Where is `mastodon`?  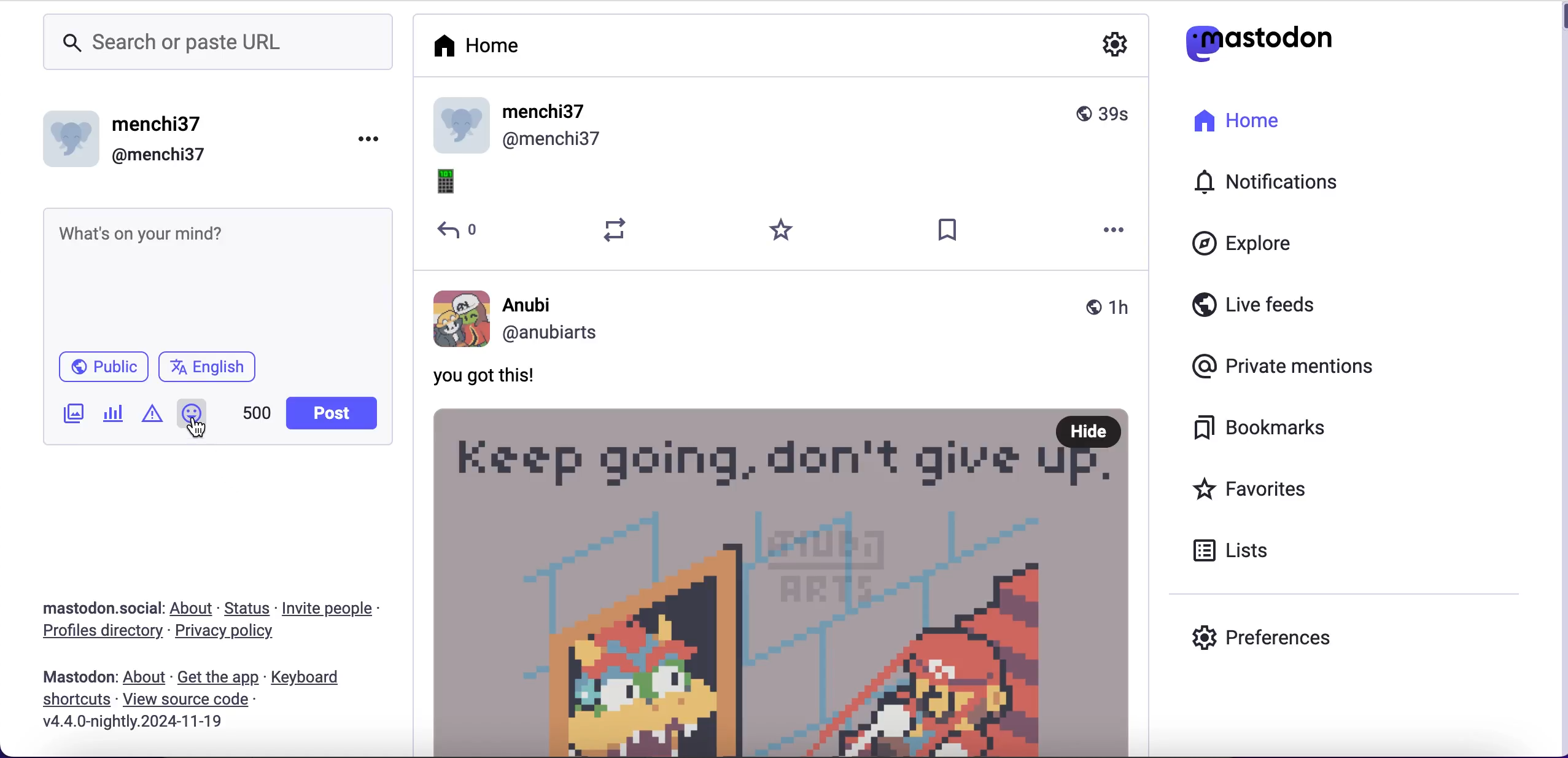 mastodon is located at coordinates (79, 677).